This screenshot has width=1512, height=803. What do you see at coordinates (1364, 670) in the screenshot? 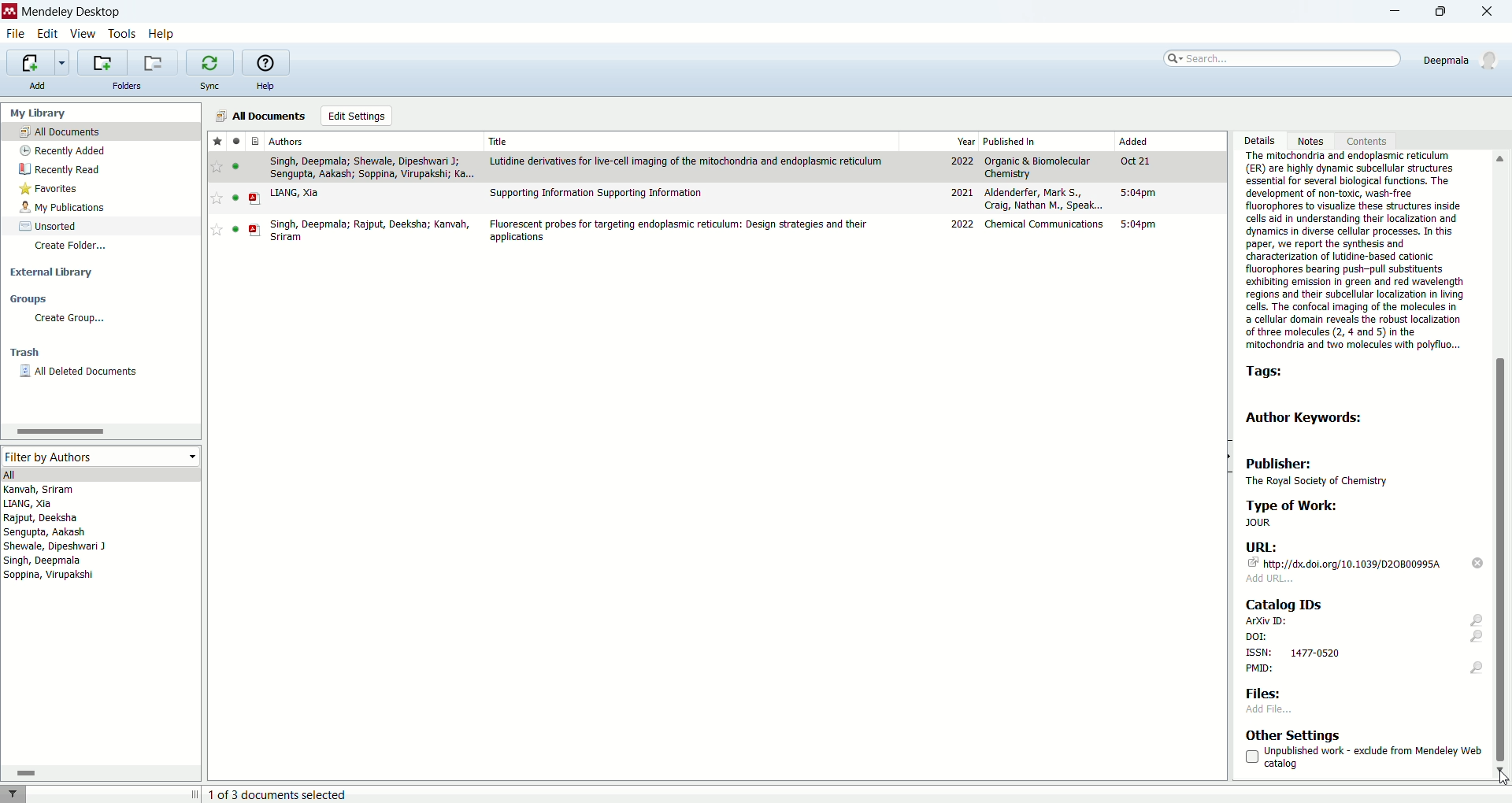
I see `PMID: ` at bounding box center [1364, 670].